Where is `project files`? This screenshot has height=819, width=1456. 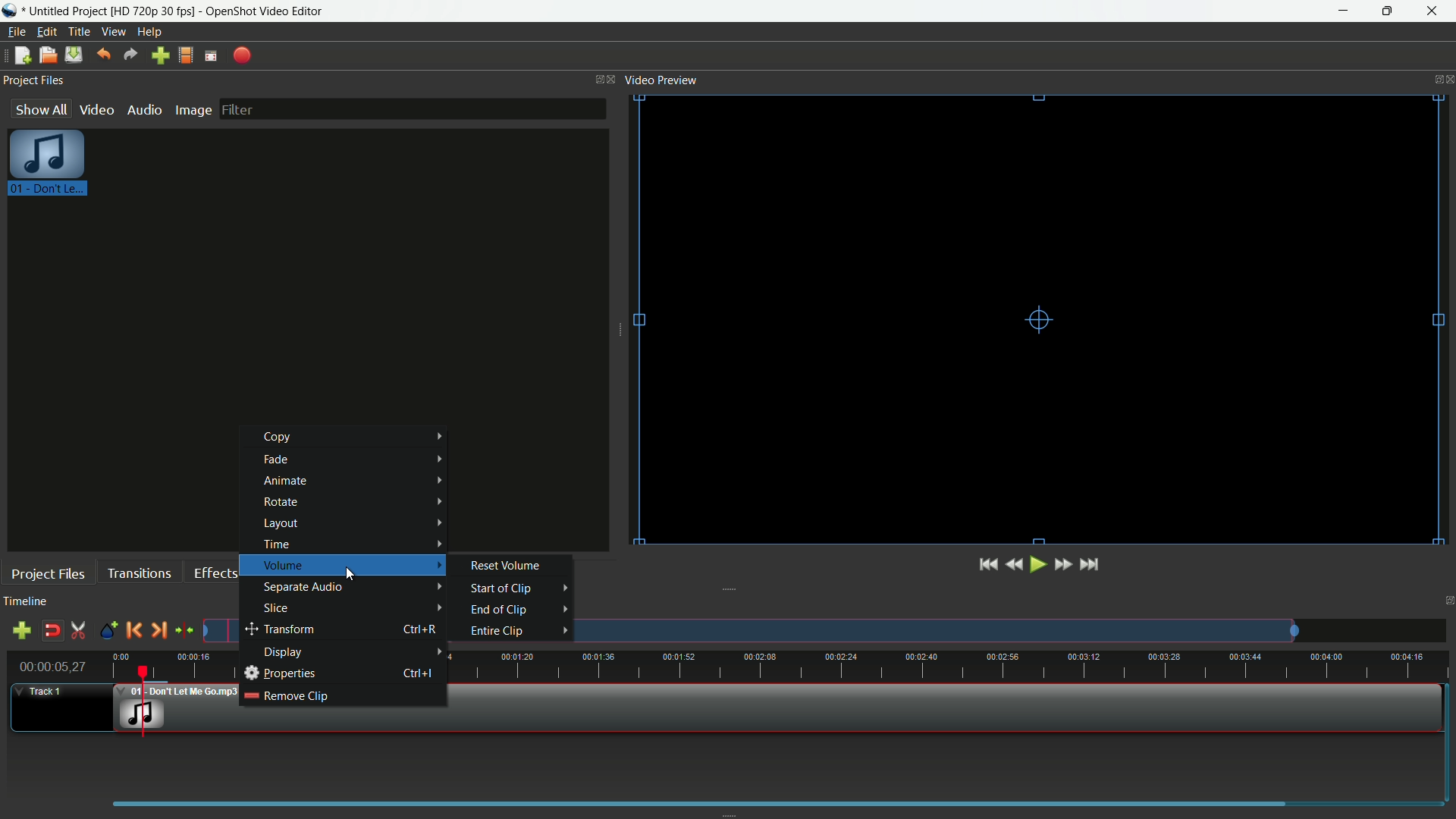 project files is located at coordinates (34, 81).